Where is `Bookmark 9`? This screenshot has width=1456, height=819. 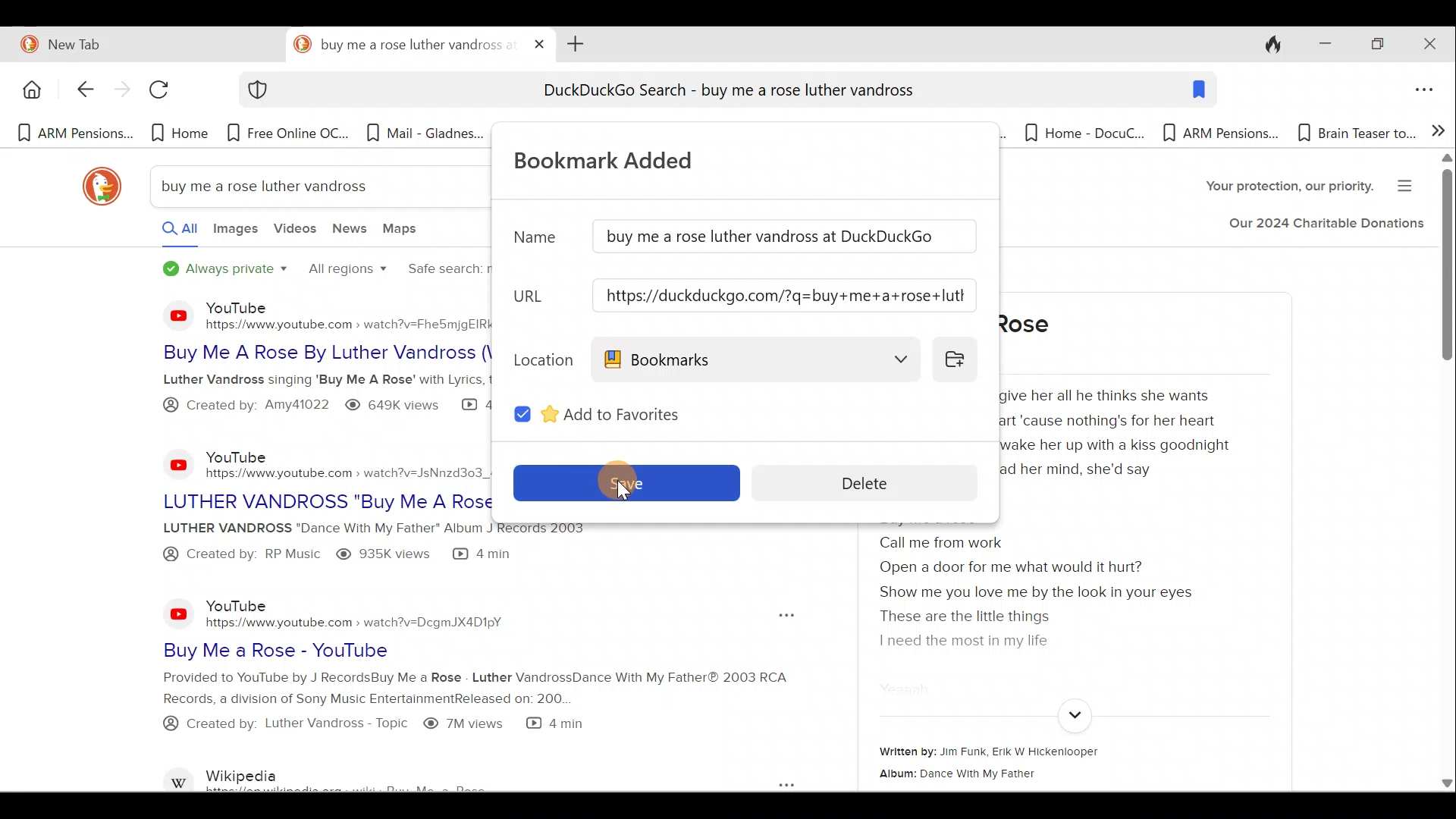 Bookmark 9 is located at coordinates (1077, 133).